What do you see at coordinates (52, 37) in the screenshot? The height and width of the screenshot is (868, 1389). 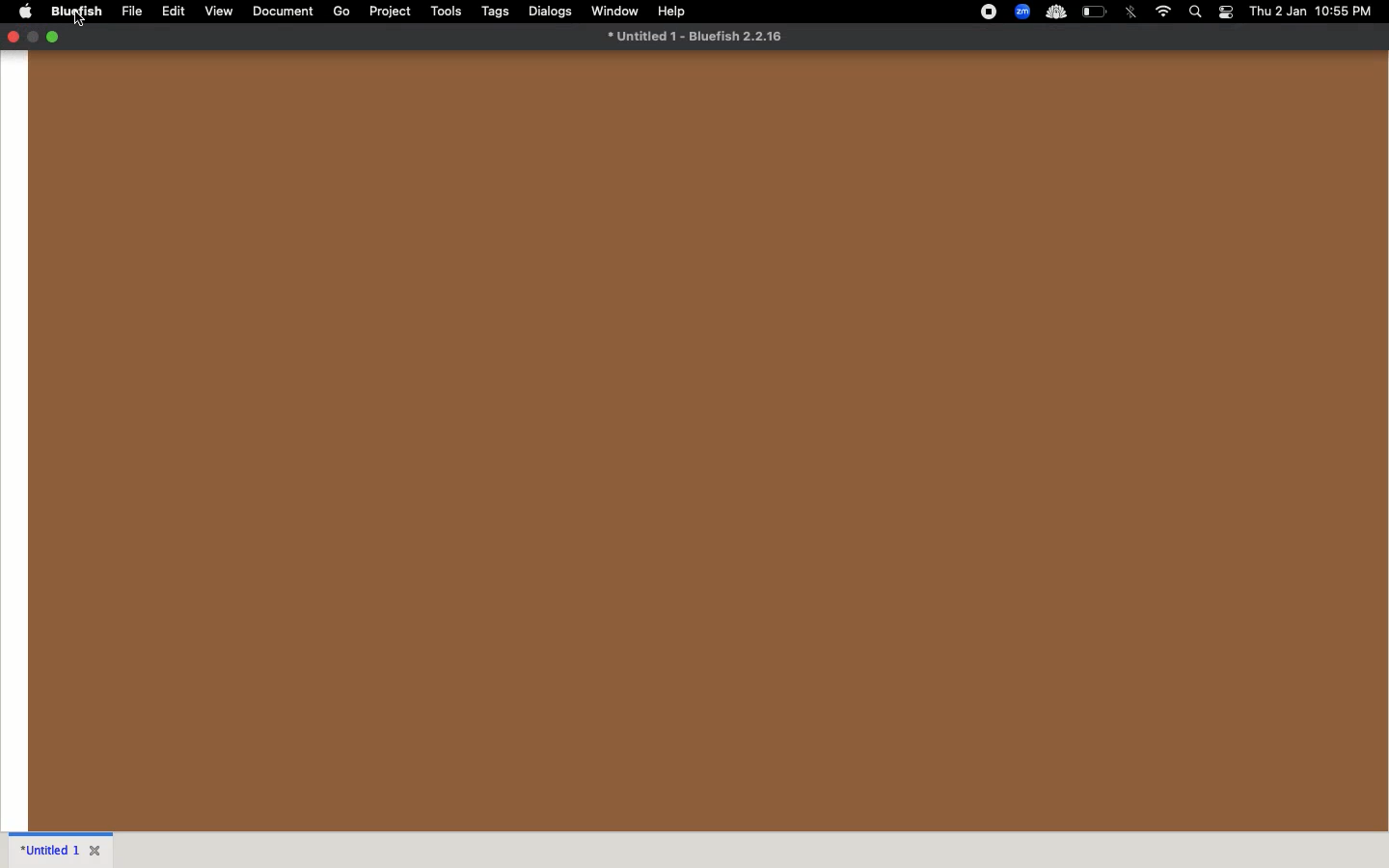 I see `maximize` at bounding box center [52, 37].